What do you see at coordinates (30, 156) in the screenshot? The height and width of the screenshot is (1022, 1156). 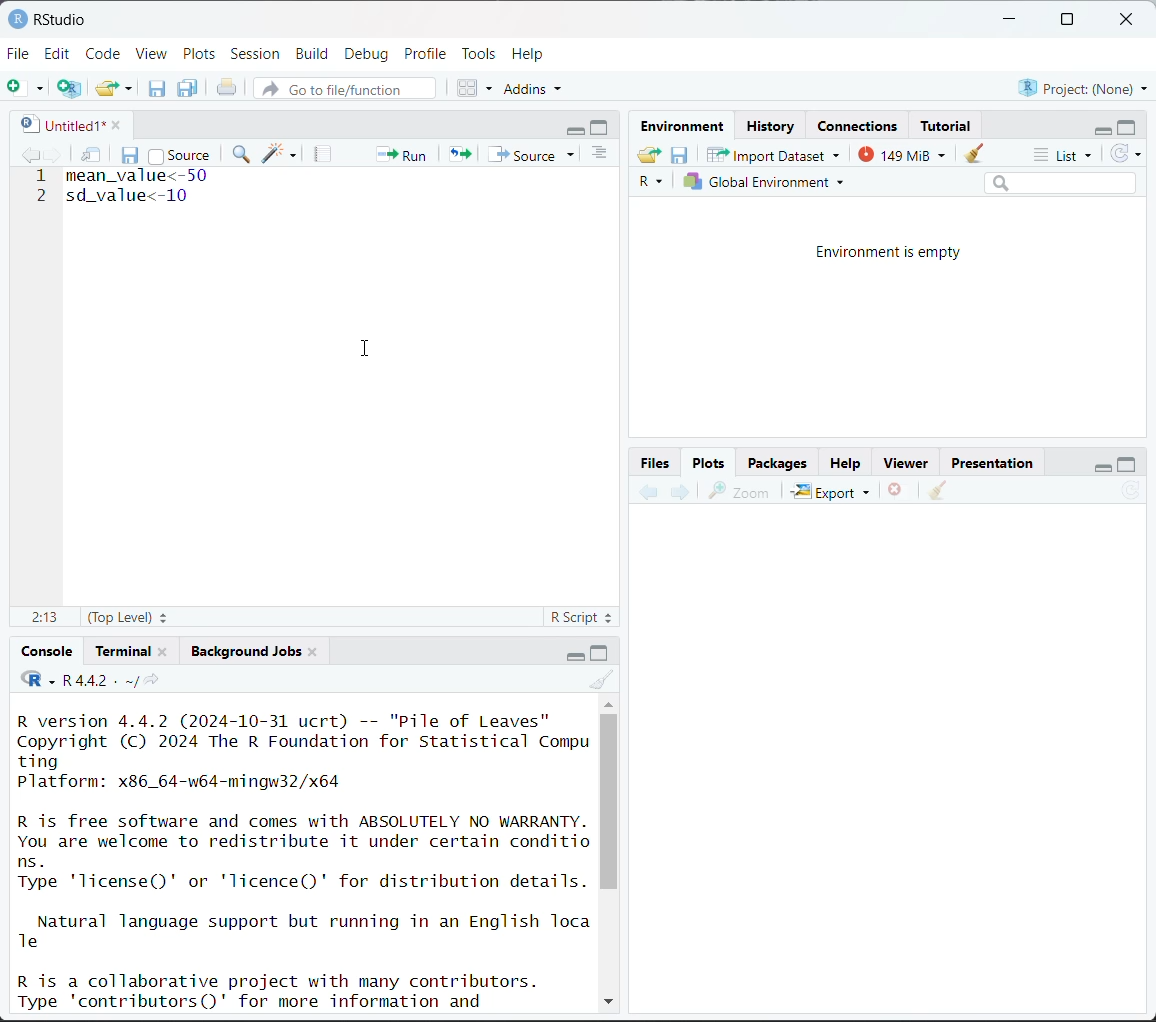 I see `go backward to previous source location` at bounding box center [30, 156].